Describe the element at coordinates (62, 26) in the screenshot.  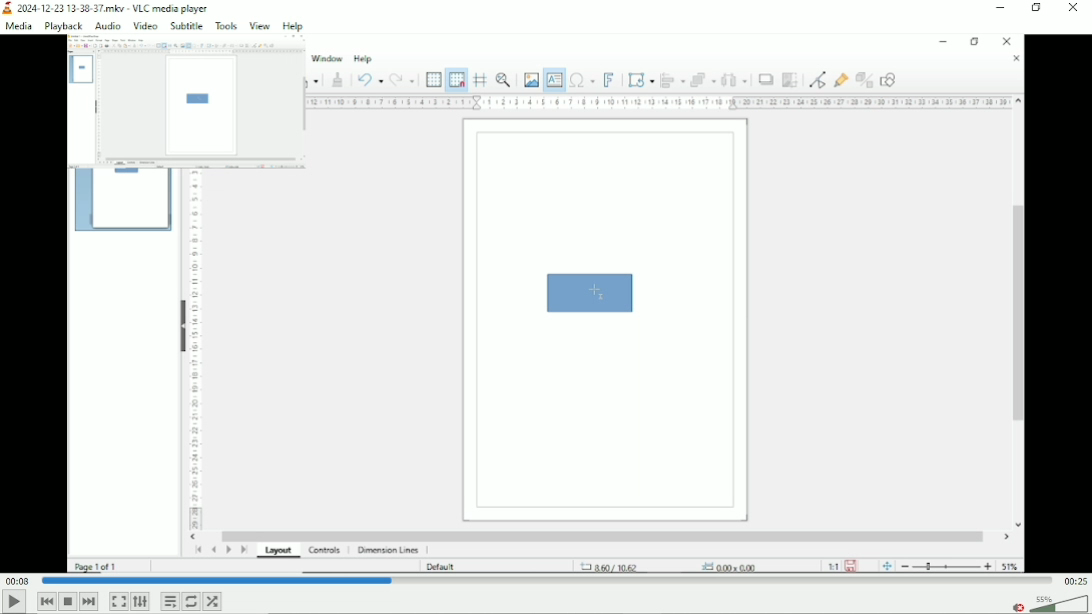
I see `Playback` at that location.